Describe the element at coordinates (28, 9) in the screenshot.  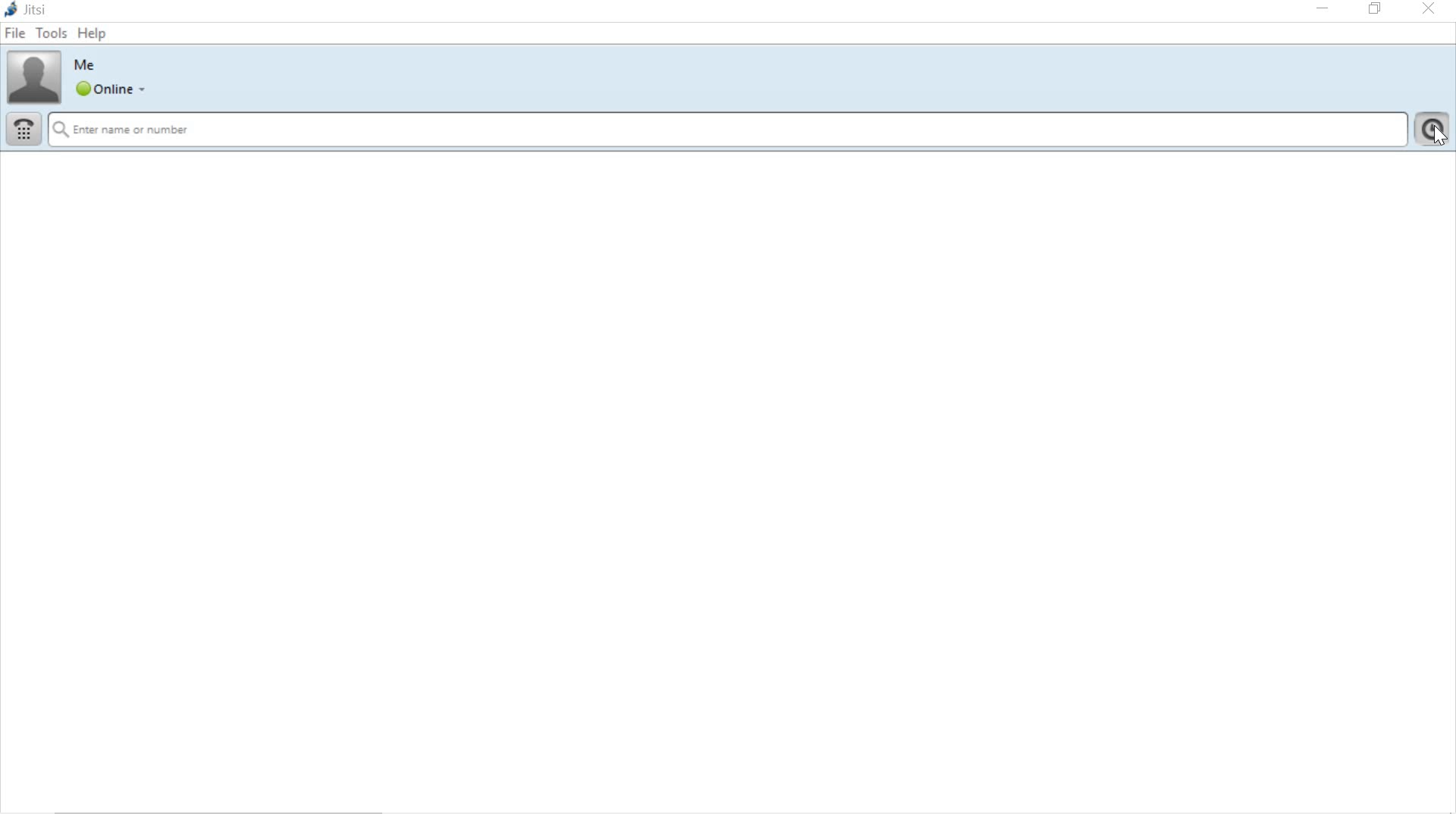
I see `system name` at that location.